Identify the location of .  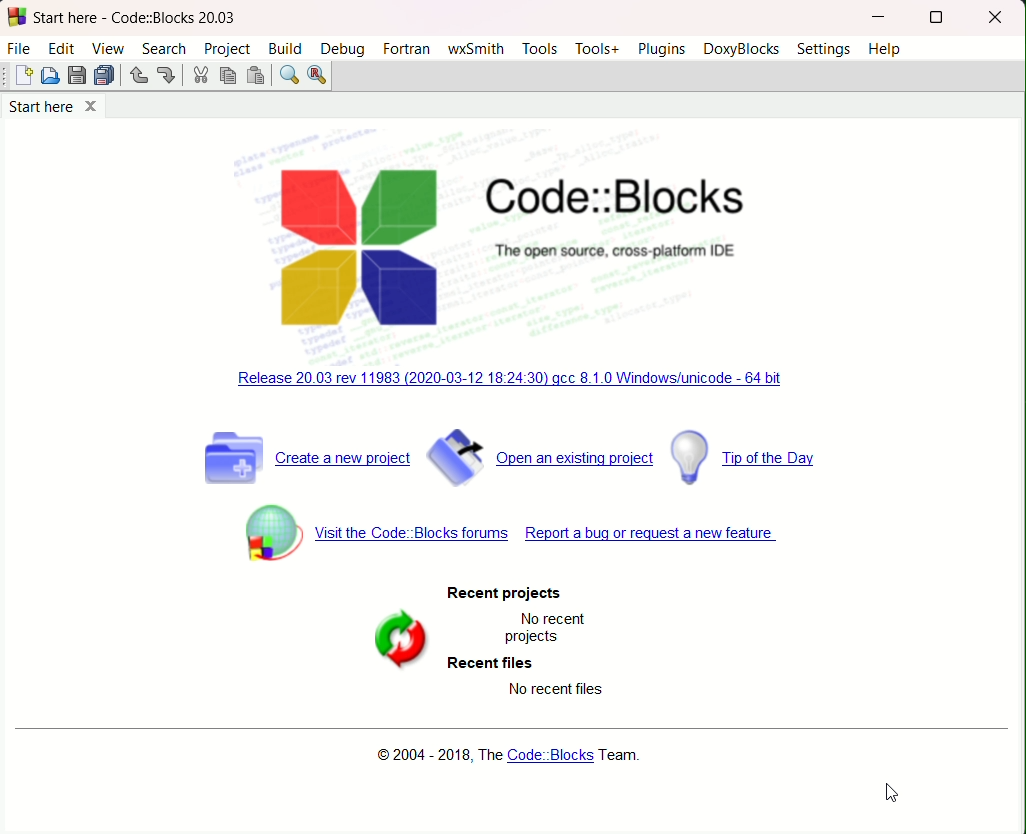
(6, 76).